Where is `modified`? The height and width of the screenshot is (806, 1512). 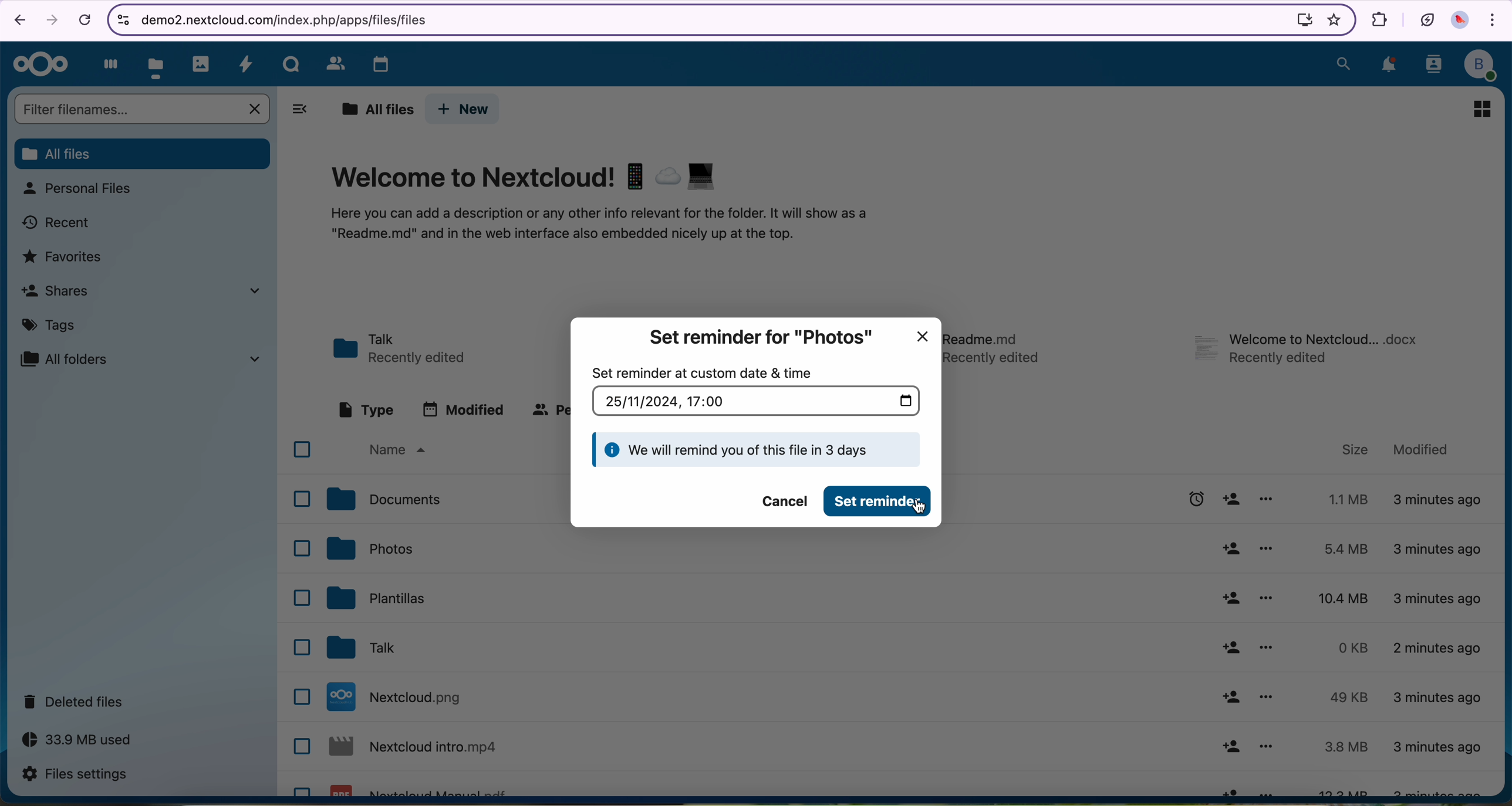 modified is located at coordinates (1422, 449).